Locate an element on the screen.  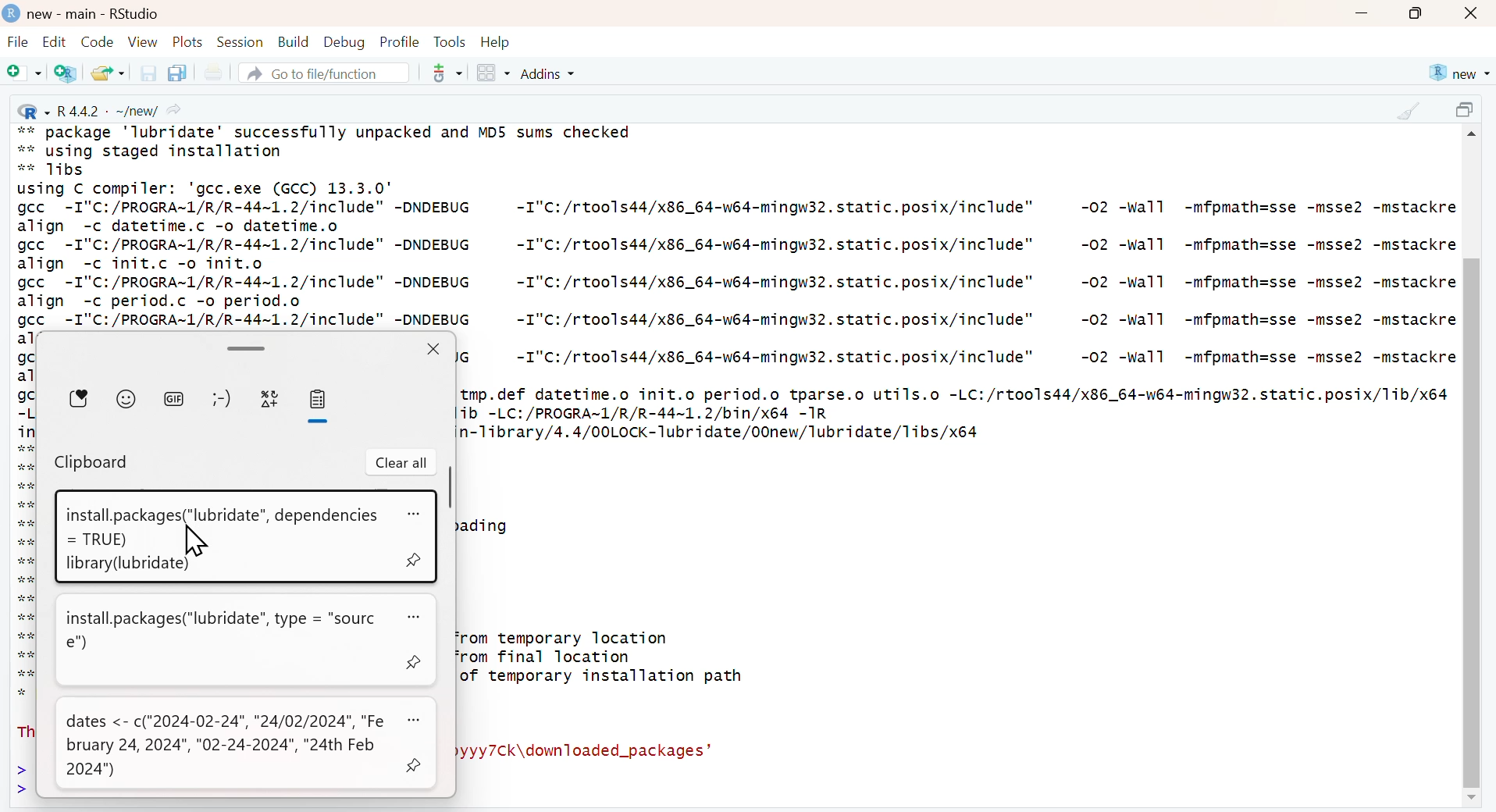
Workspace panes is located at coordinates (493, 74).